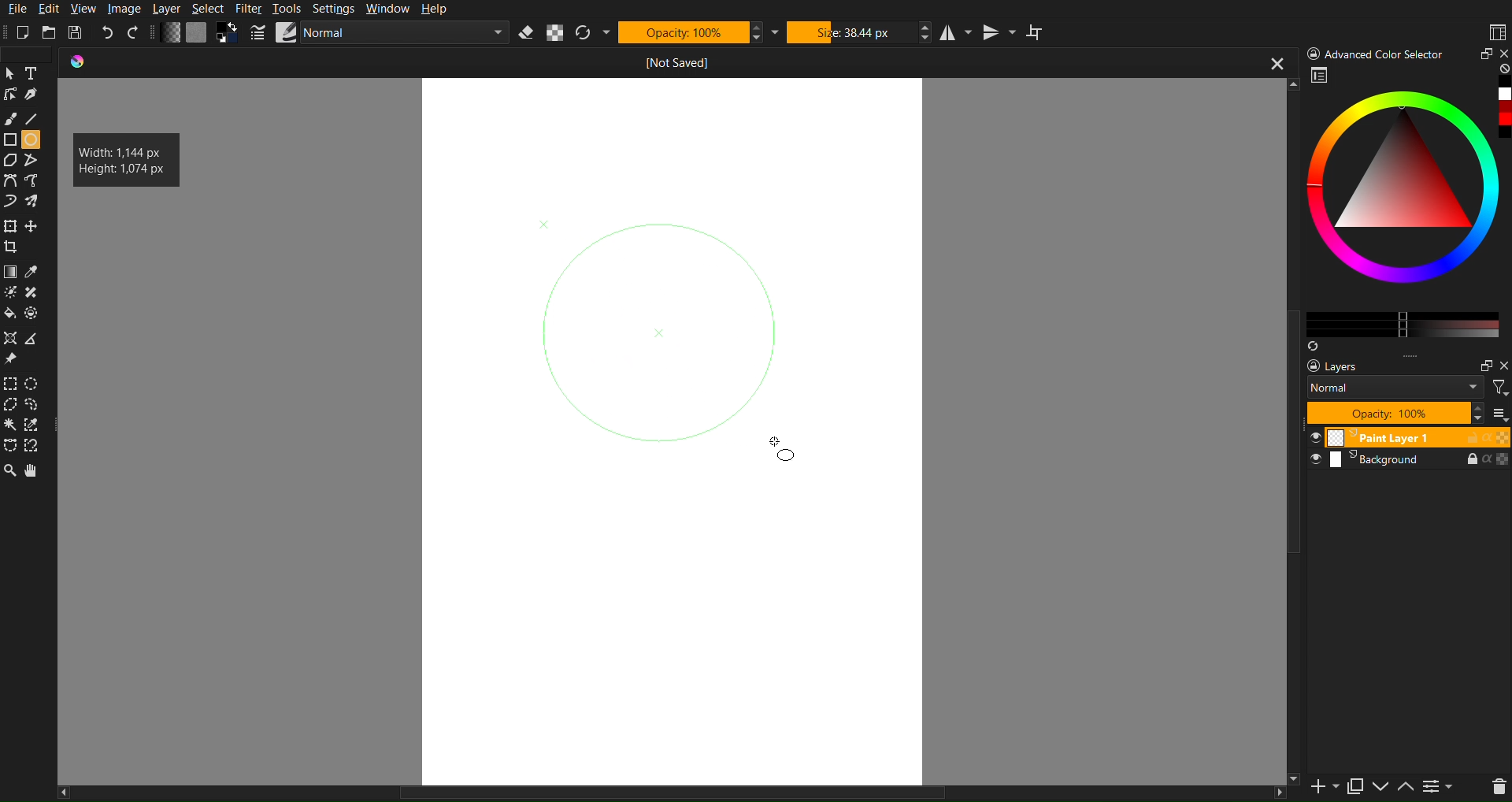 Image resolution: width=1512 pixels, height=802 pixels. I want to click on Edit, so click(52, 9).